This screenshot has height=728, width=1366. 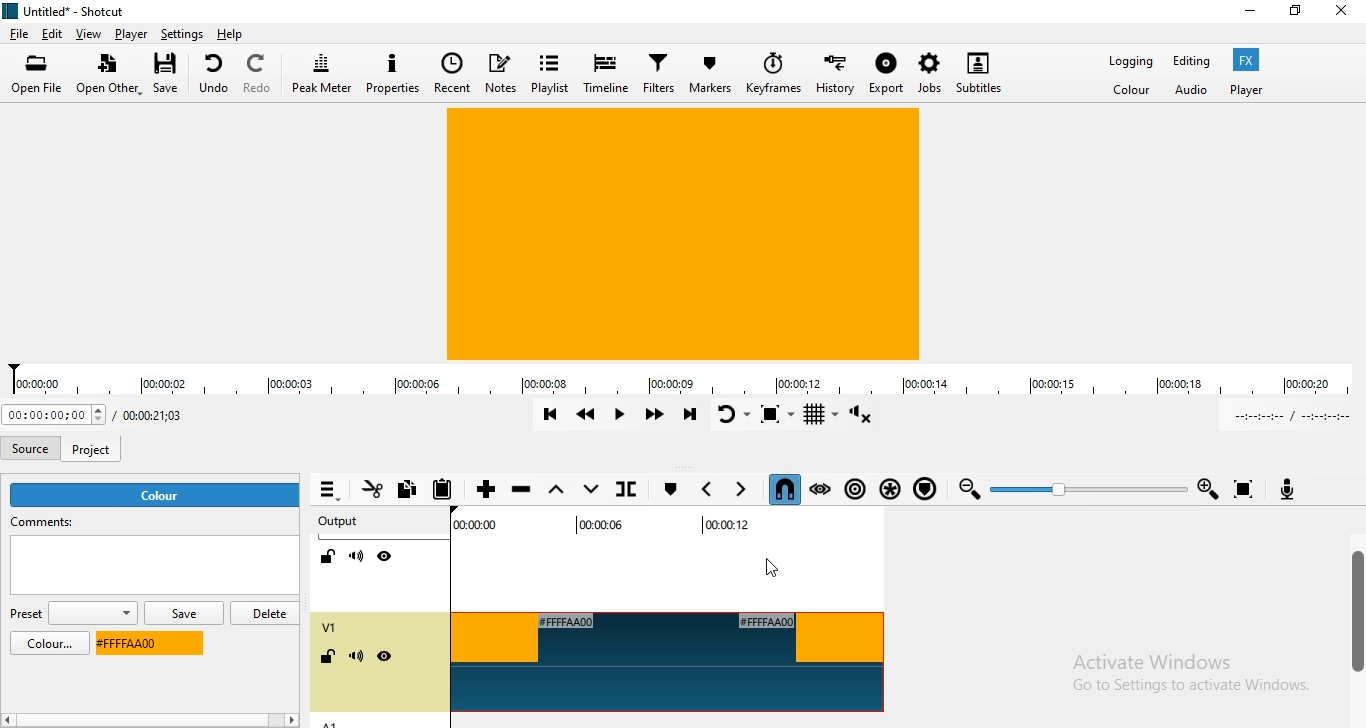 I want to click on delete, so click(x=267, y=612).